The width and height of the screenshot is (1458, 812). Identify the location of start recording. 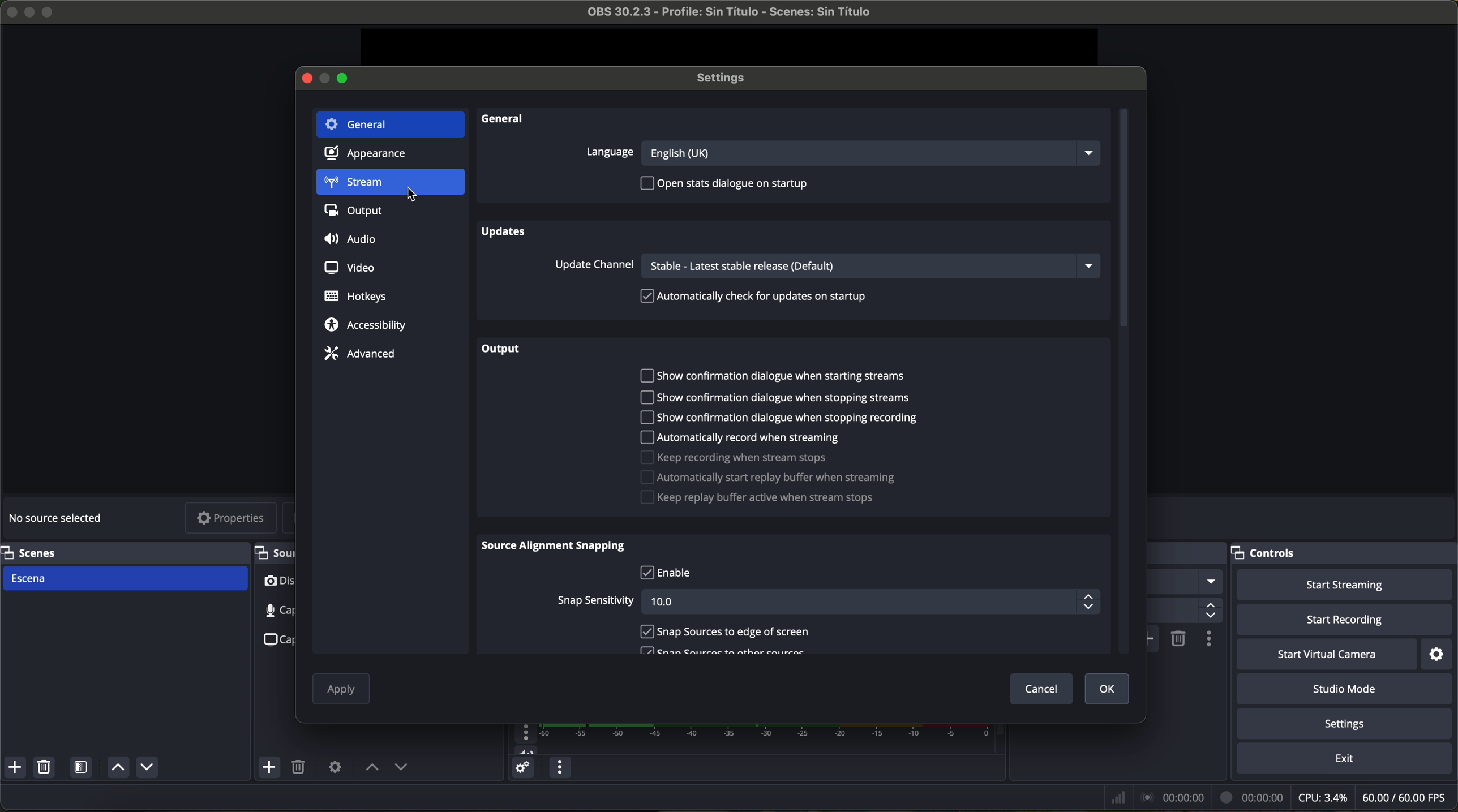
(1346, 621).